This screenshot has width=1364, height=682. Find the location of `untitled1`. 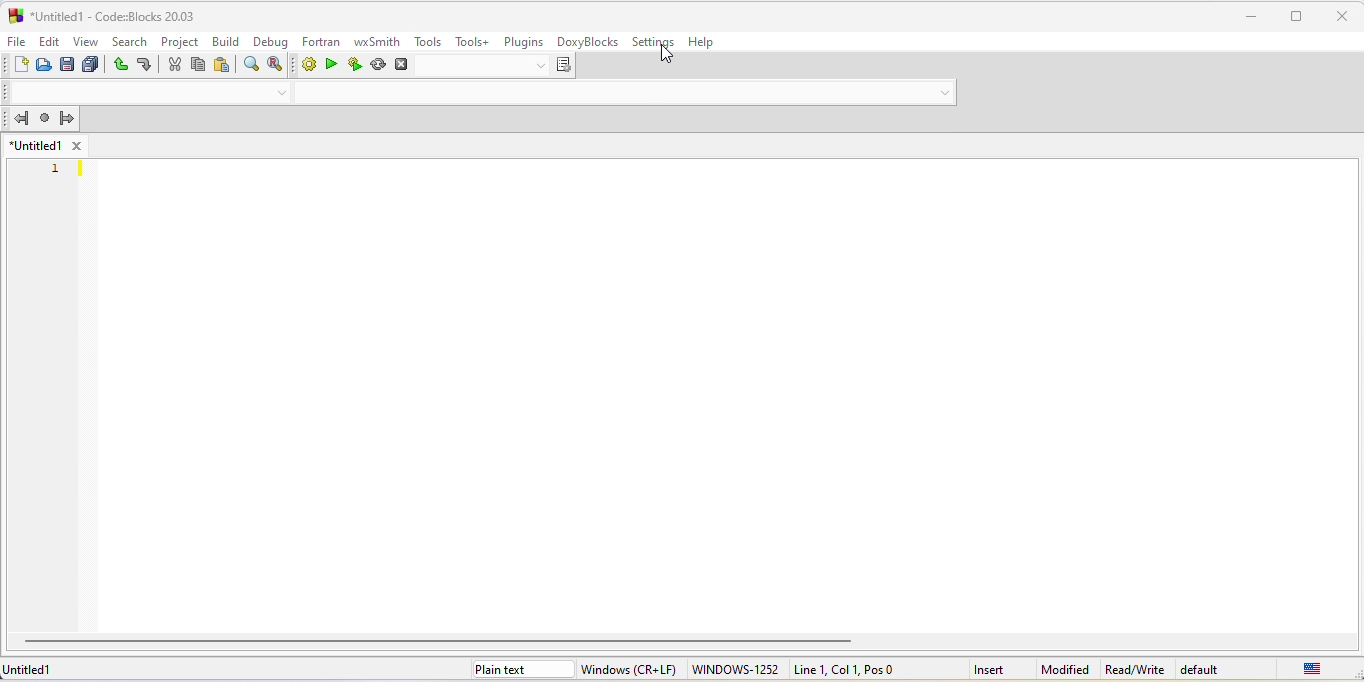

untitled1 is located at coordinates (32, 669).